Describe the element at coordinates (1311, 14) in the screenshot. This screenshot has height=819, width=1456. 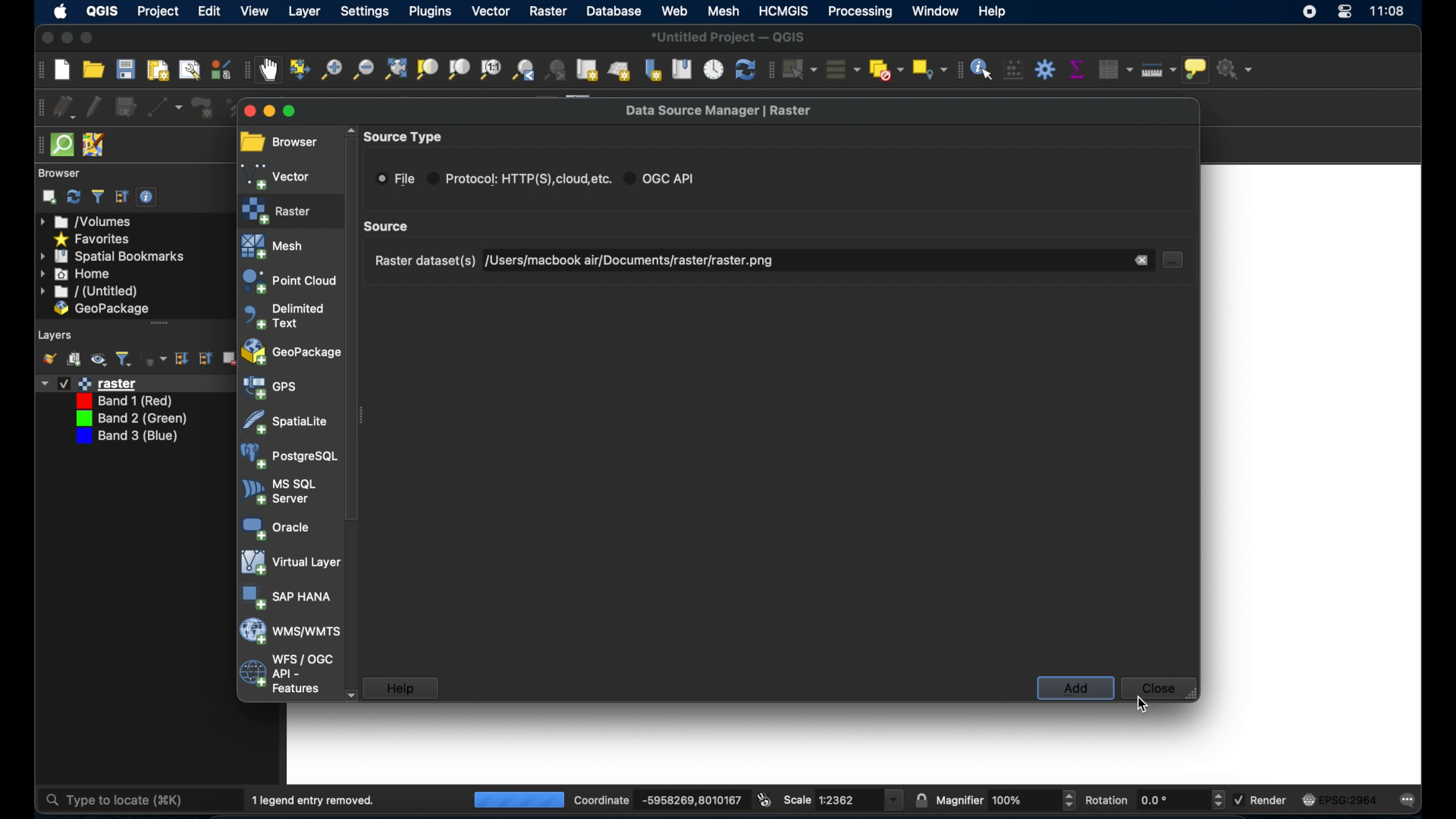
I see `screen recorder` at that location.